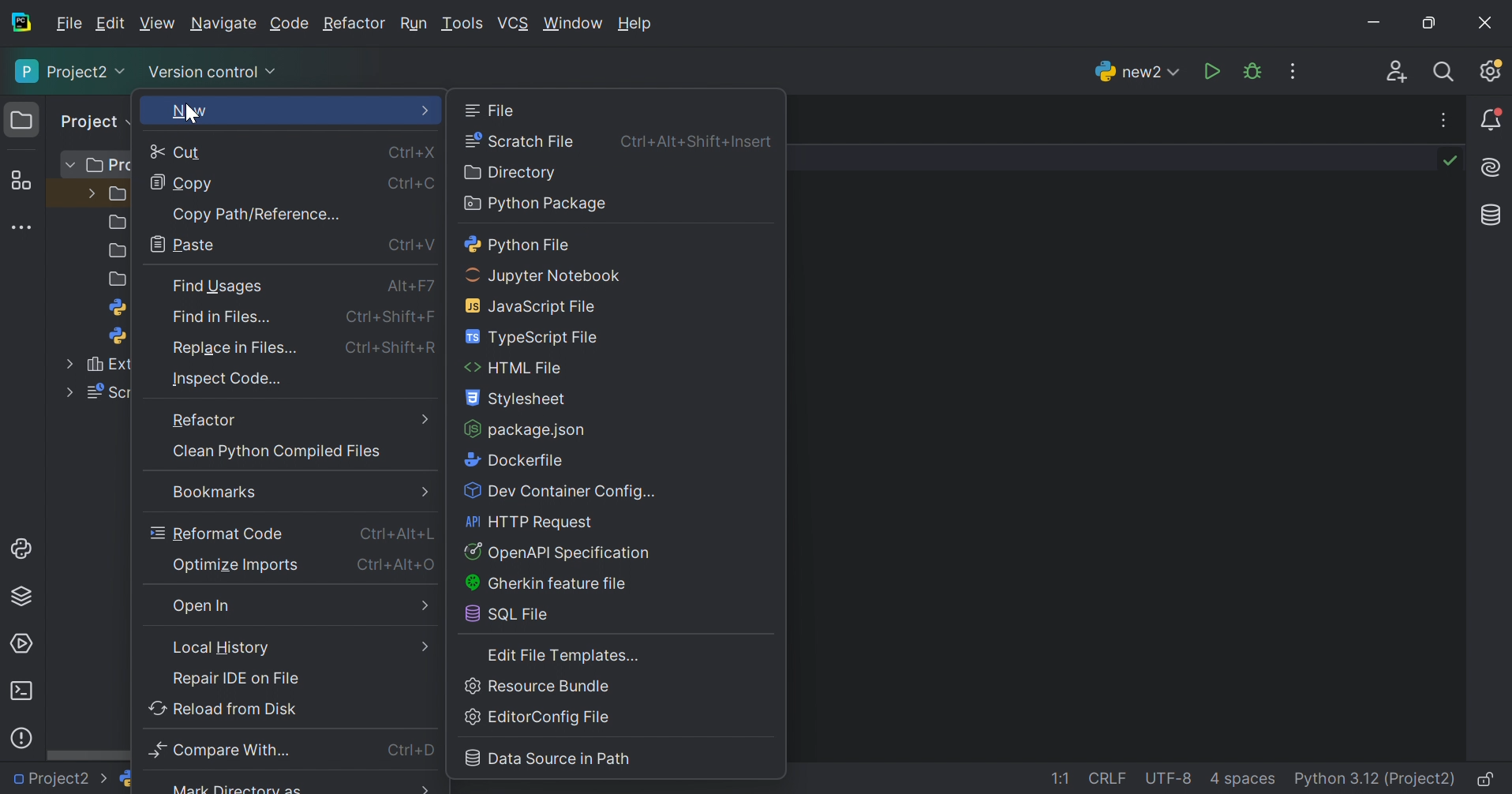 The height and width of the screenshot is (794, 1512). Describe the element at coordinates (549, 758) in the screenshot. I see `Data source in path` at that location.